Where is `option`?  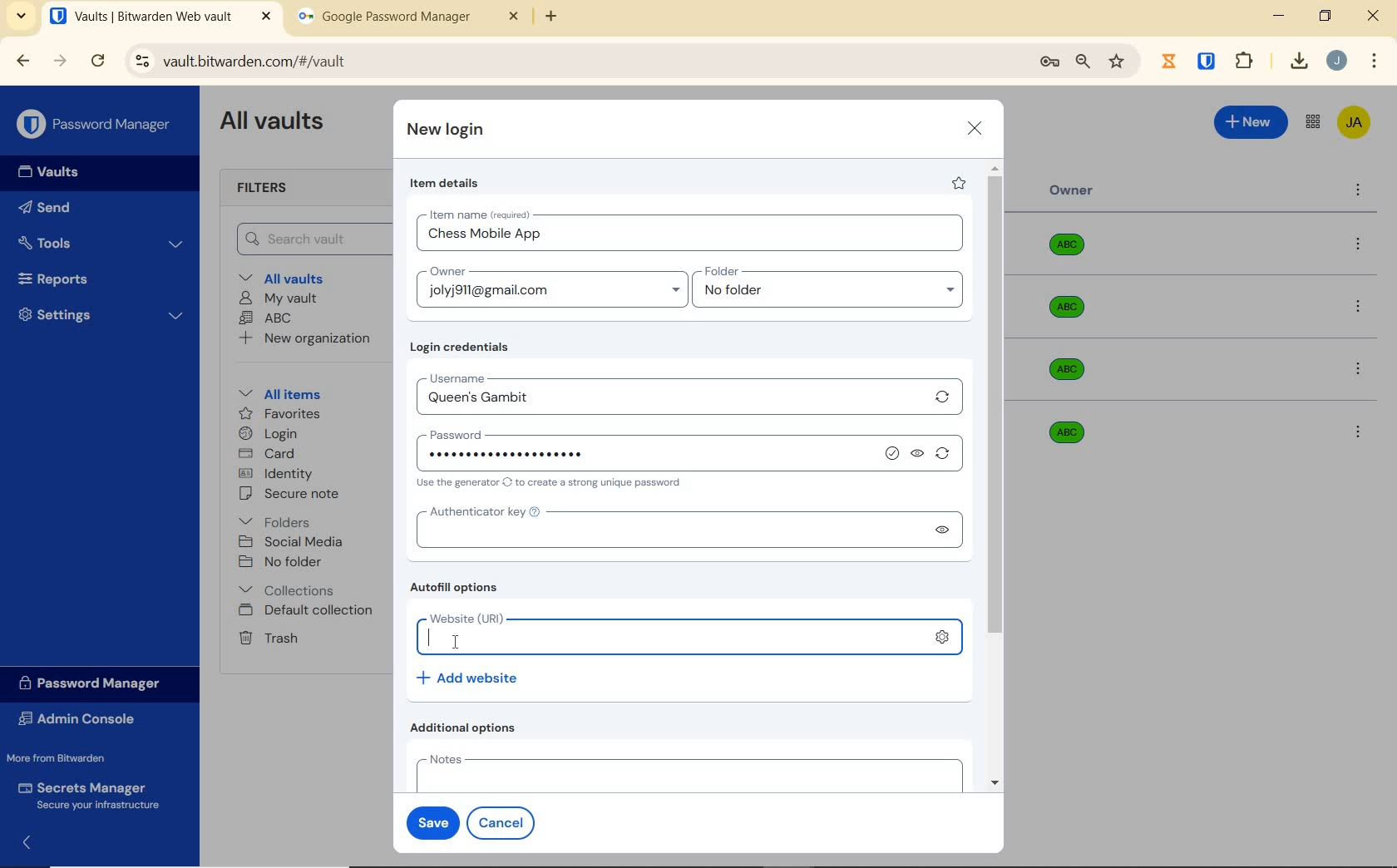
option is located at coordinates (1361, 371).